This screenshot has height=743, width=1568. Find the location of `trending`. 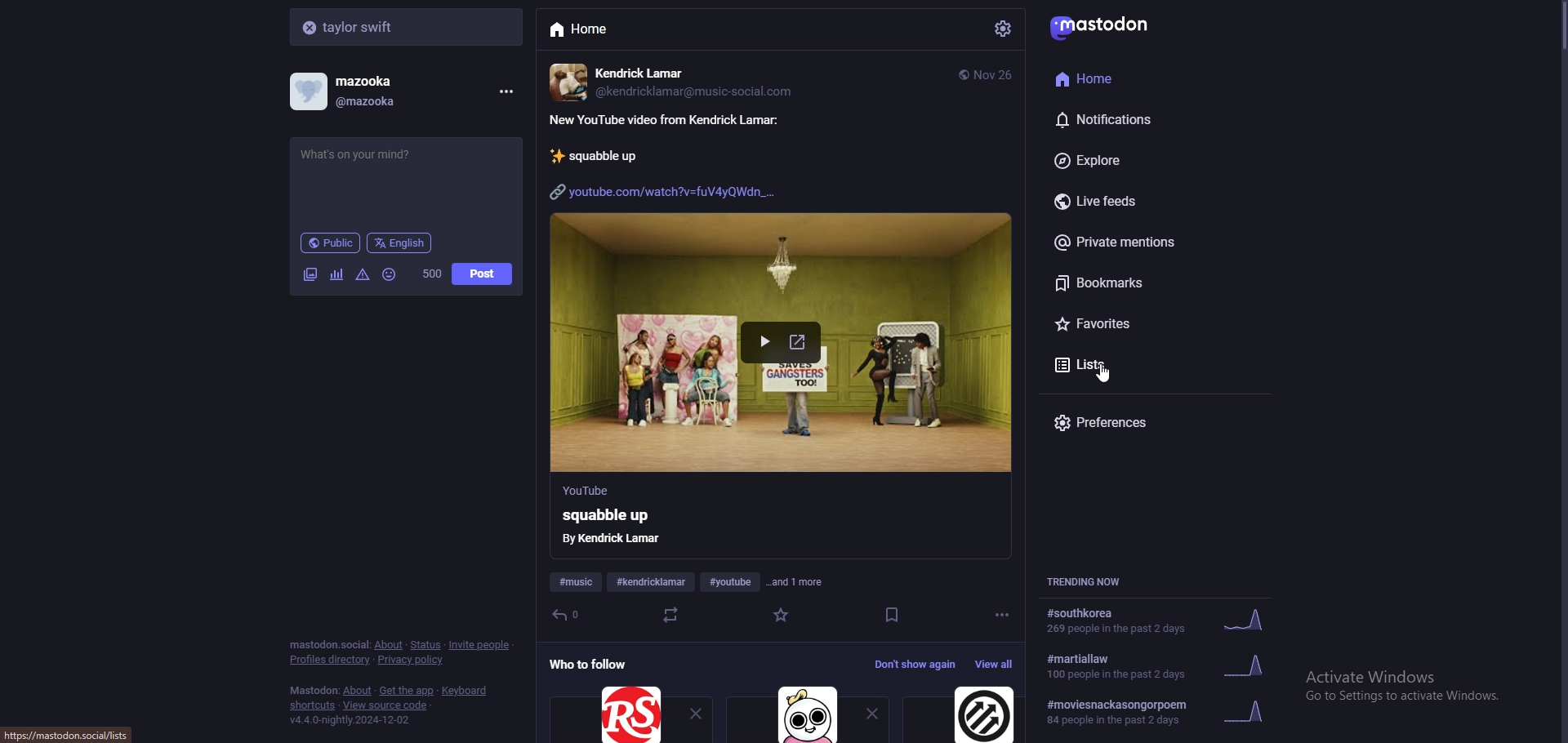

trending is located at coordinates (1164, 712).